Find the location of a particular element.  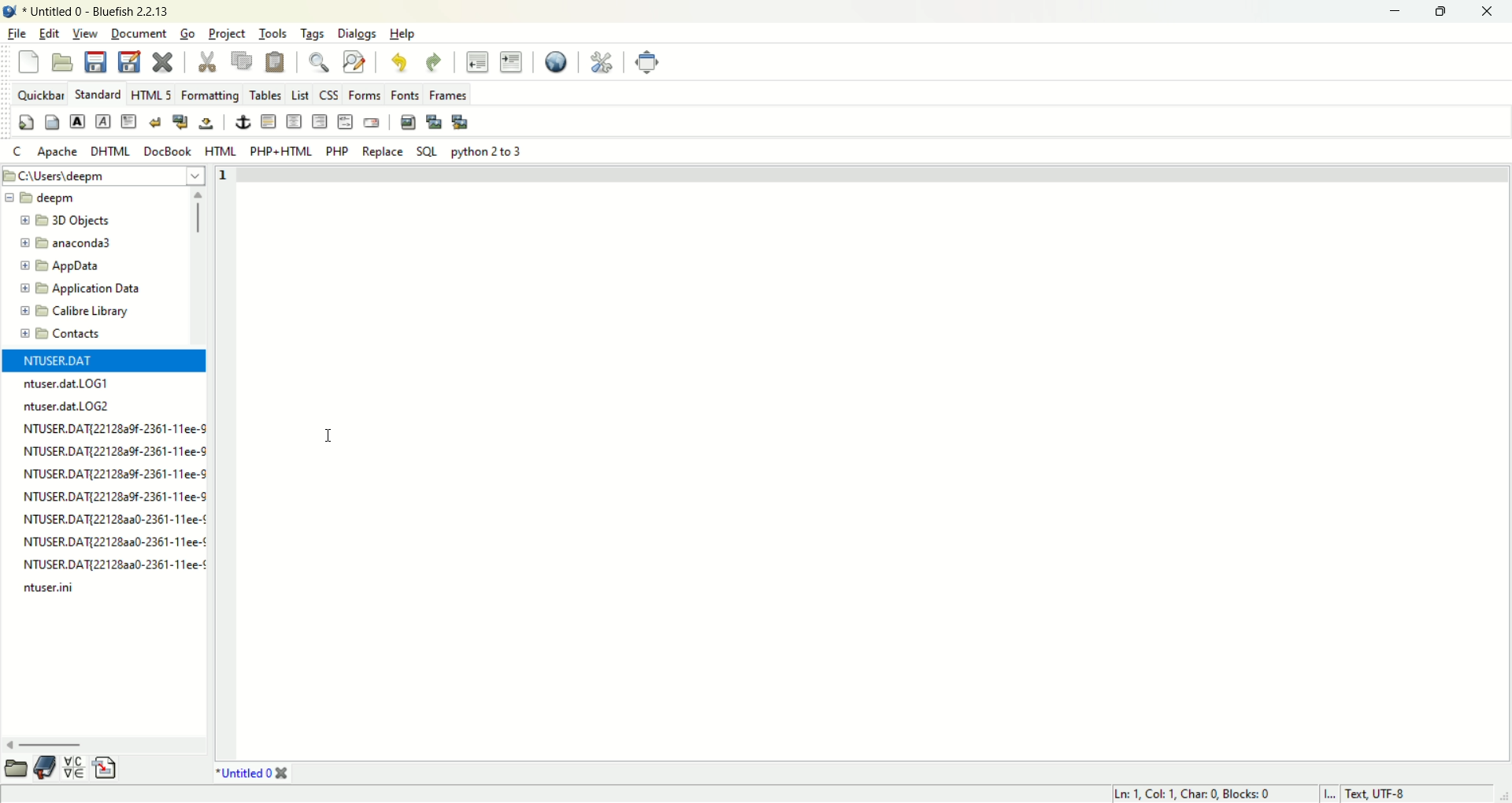

NTUSER.DAT{2212829f-2361-11ee-9 is located at coordinates (116, 453).